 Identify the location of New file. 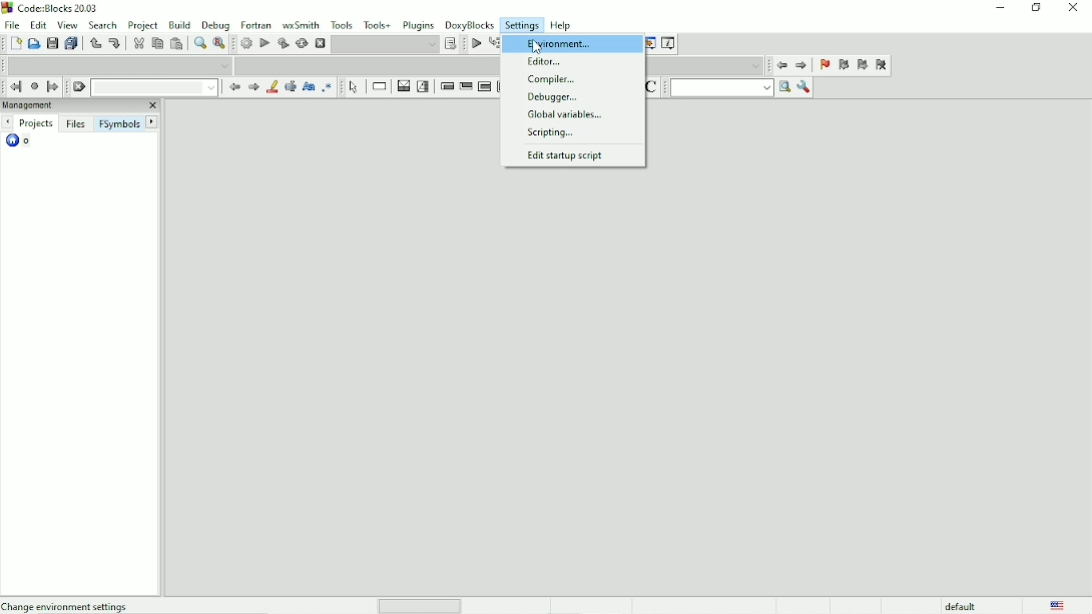
(14, 43).